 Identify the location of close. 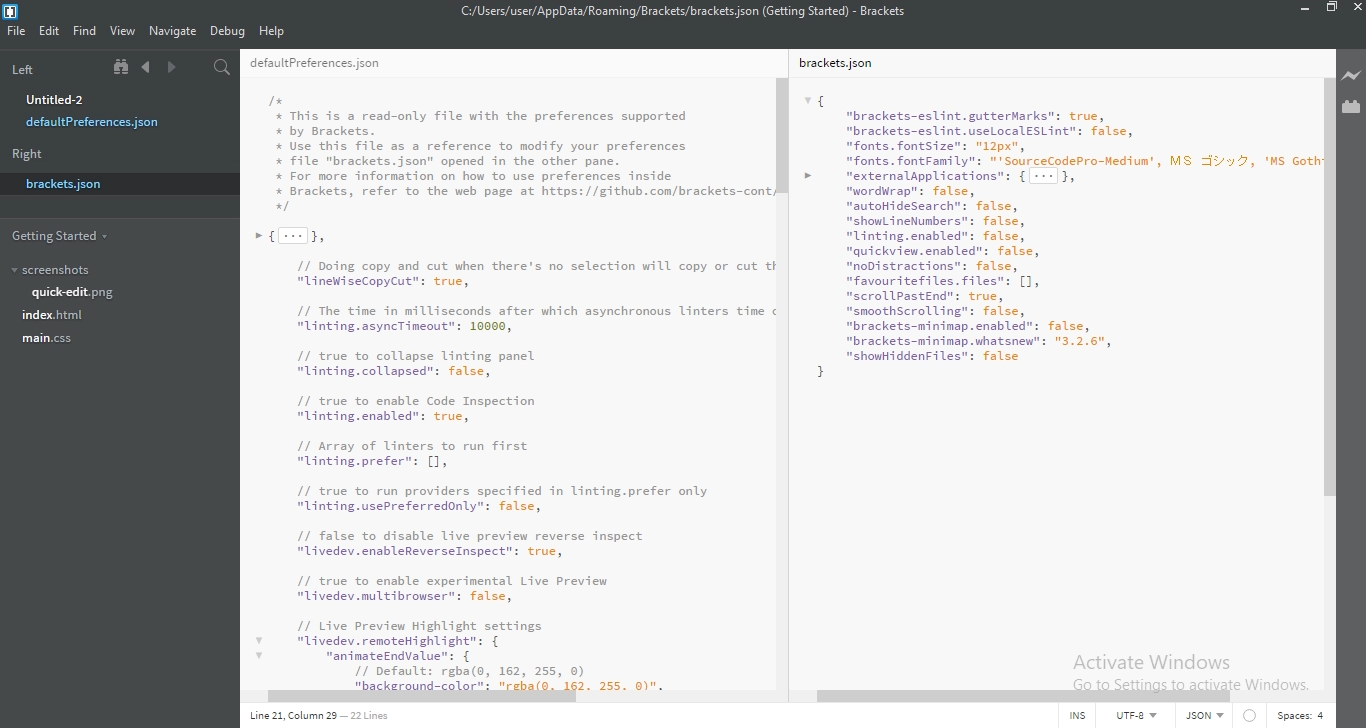
(1357, 8).